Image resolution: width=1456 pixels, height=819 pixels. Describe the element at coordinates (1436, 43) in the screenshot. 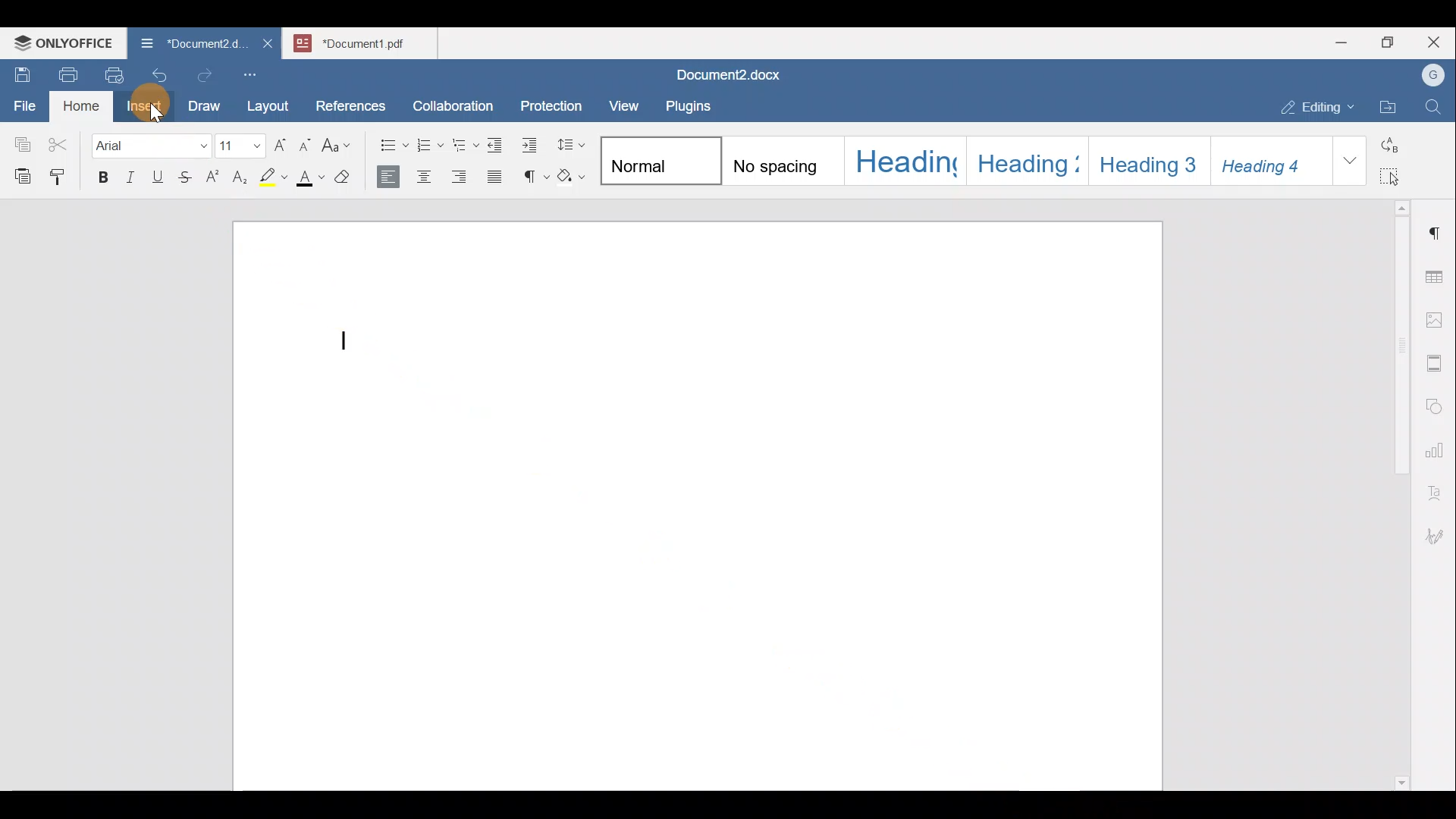

I see `Close` at that location.